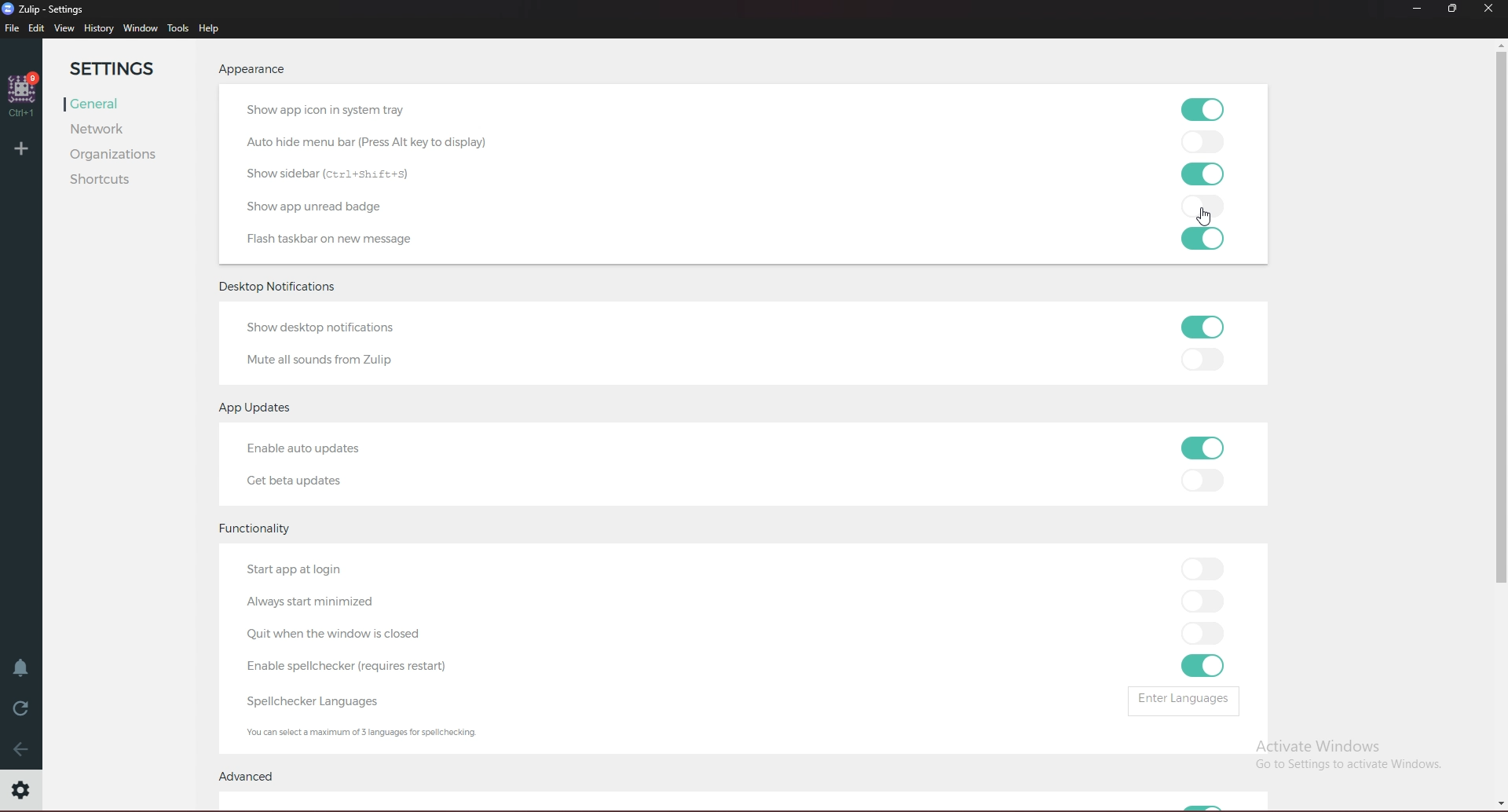  Describe the element at coordinates (1206, 142) in the screenshot. I see `toggle` at that location.